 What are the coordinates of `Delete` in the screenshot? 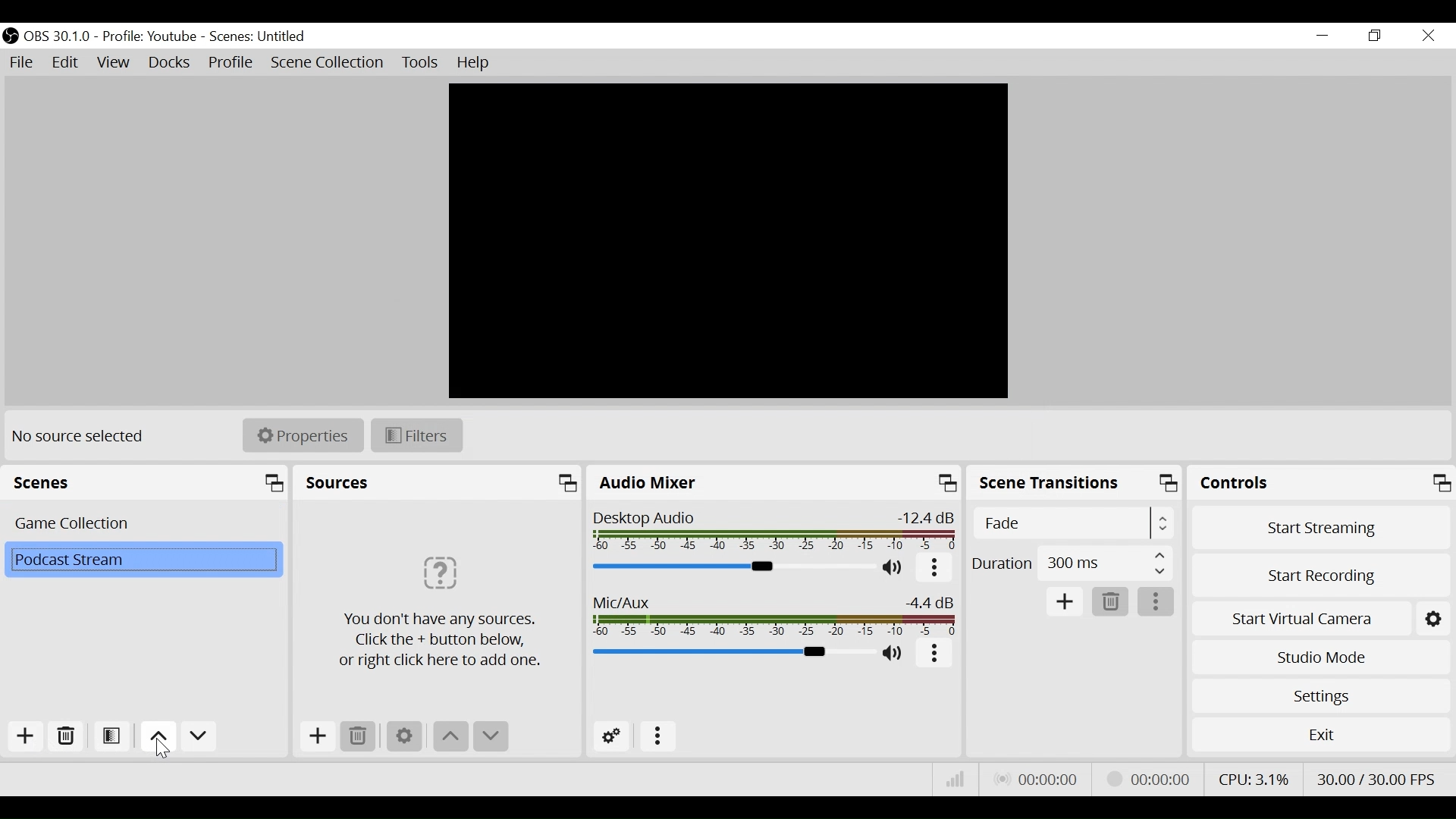 It's located at (1111, 602).